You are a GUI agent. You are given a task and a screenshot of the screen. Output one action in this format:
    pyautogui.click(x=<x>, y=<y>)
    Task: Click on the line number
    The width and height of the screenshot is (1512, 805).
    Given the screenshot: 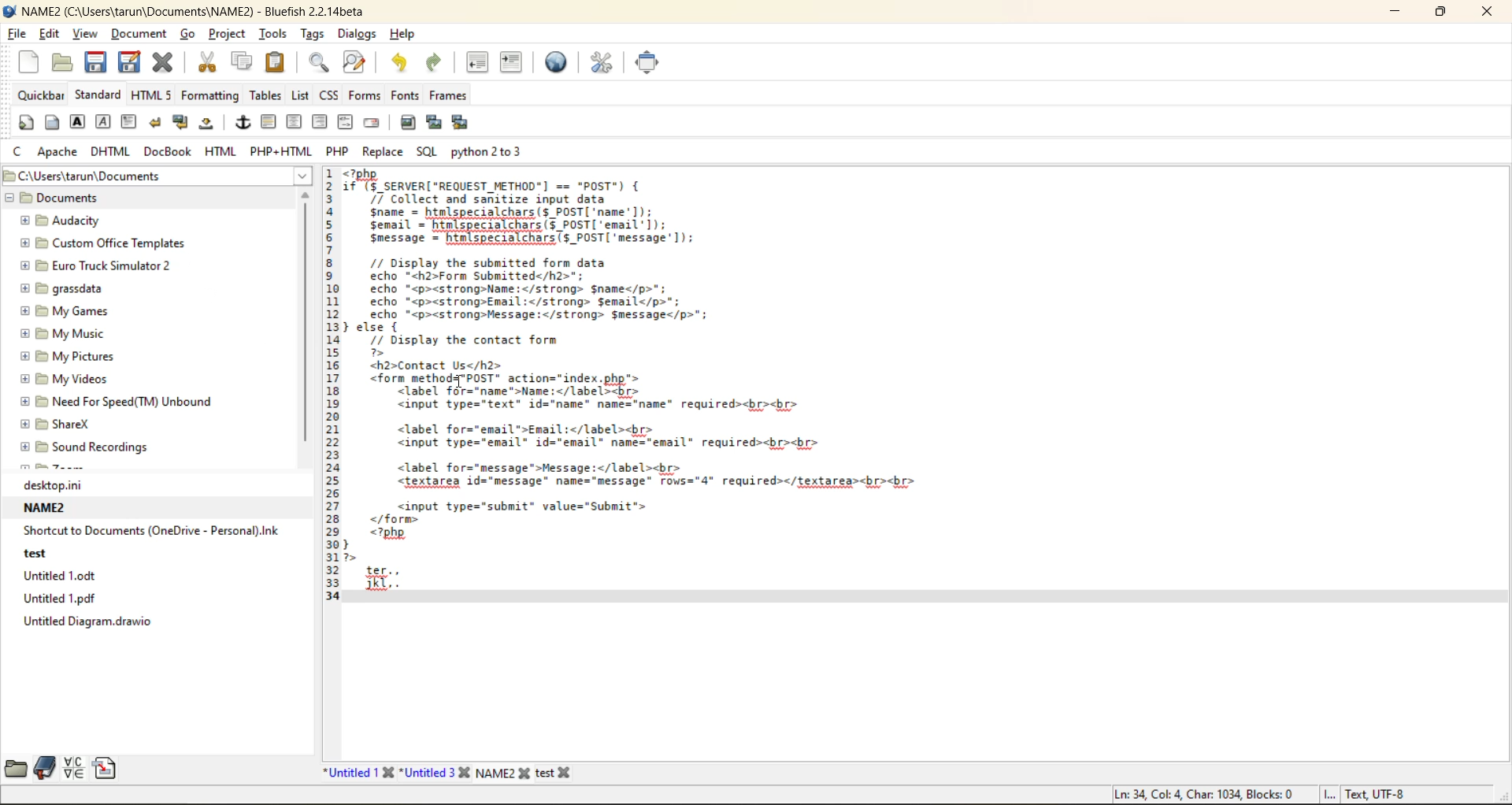 What is the action you would take?
    pyautogui.click(x=330, y=389)
    